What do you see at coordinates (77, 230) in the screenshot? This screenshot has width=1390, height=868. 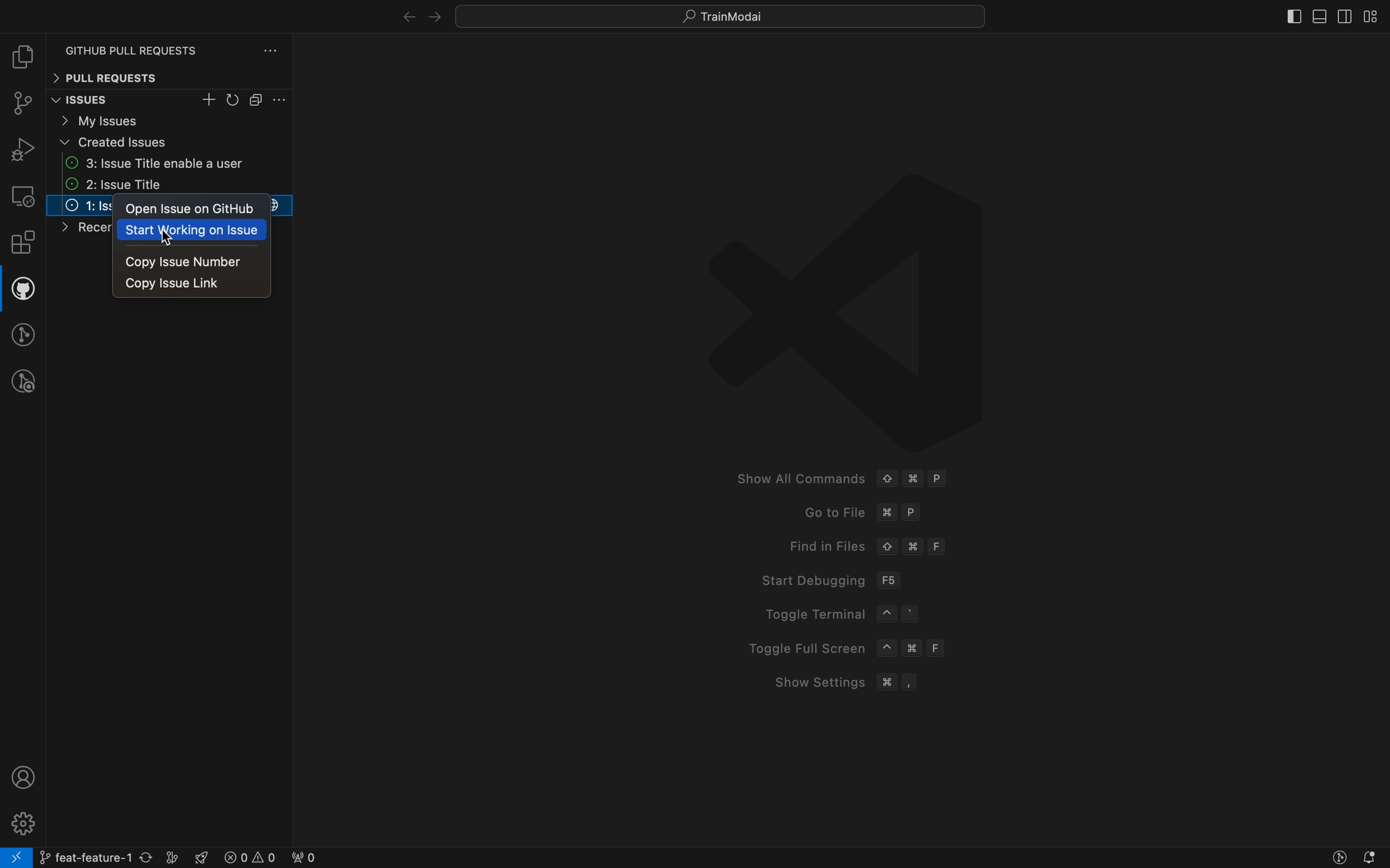 I see `recent issues` at bounding box center [77, 230].